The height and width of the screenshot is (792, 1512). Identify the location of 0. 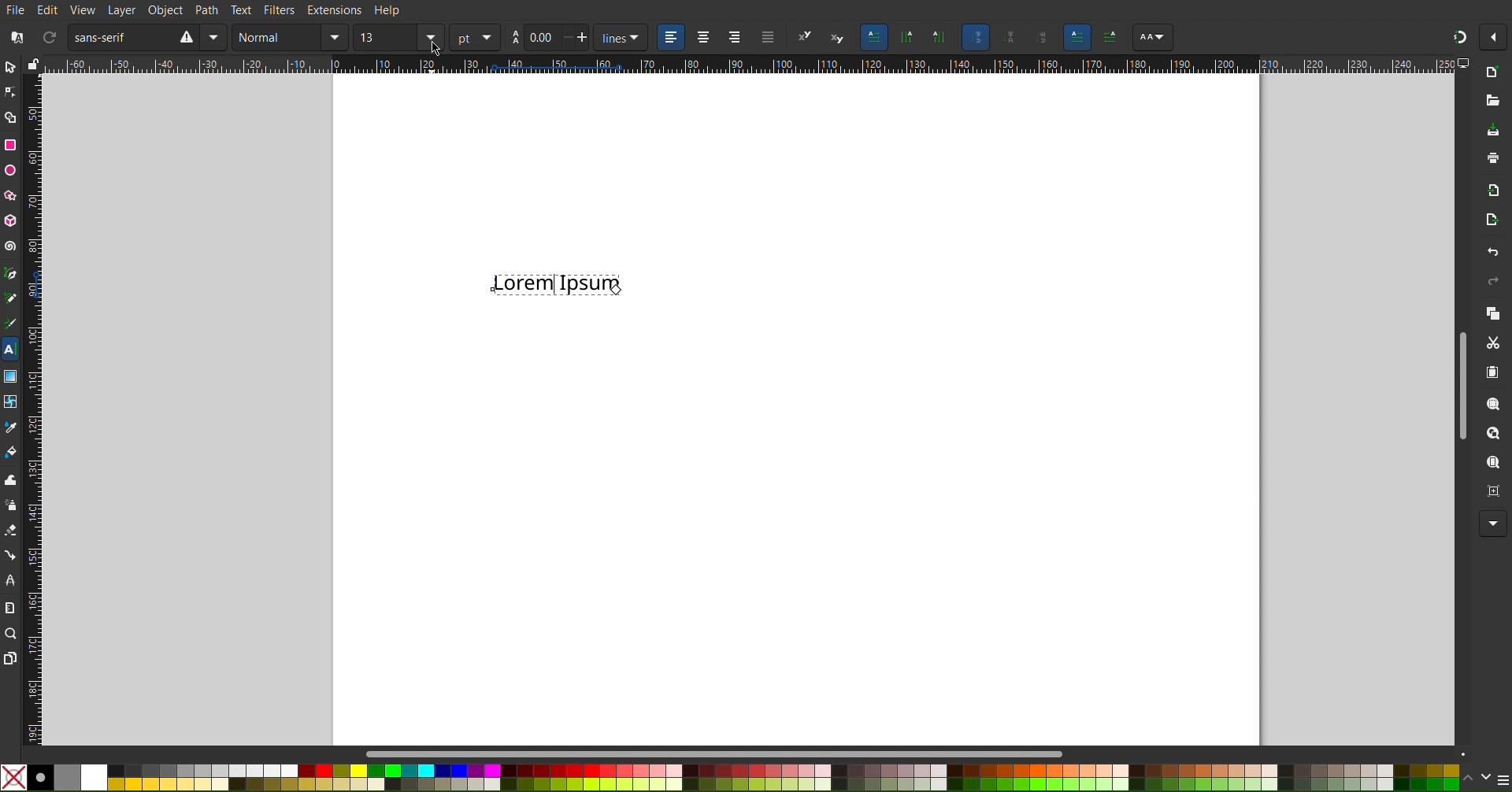
(540, 37).